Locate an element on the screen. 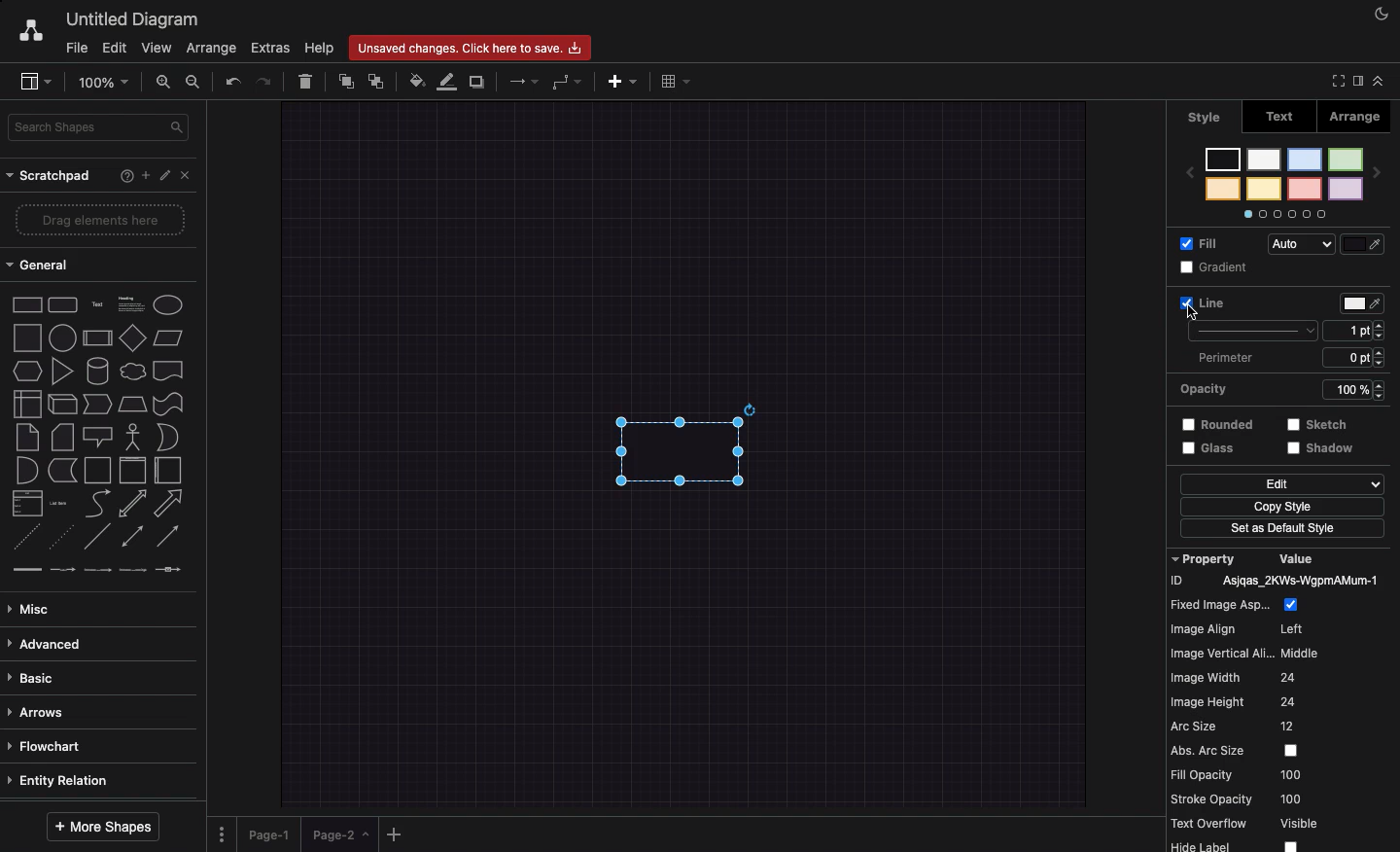 The height and width of the screenshot is (852, 1400). Copy style is located at coordinates (1281, 509).